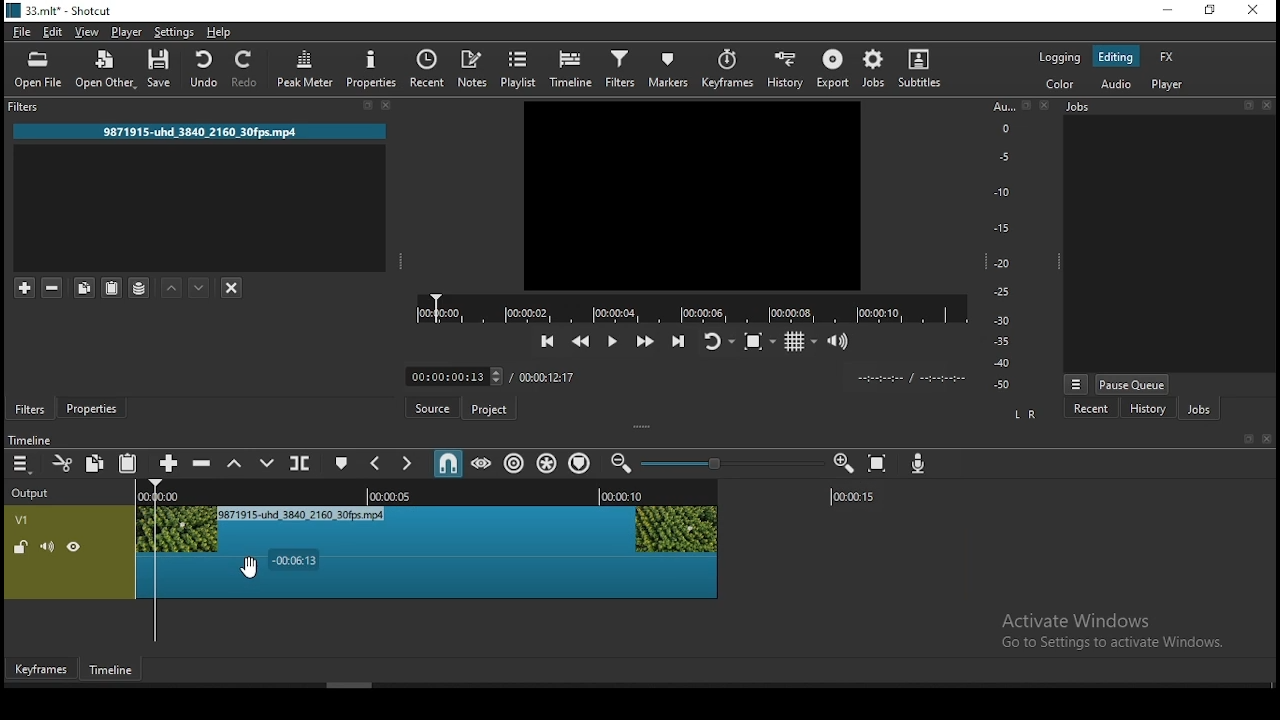 This screenshot has height=720, width=1280. Describe the element at coordinates (141, 286) in the screenshot. I see `save filter sets` at that location.